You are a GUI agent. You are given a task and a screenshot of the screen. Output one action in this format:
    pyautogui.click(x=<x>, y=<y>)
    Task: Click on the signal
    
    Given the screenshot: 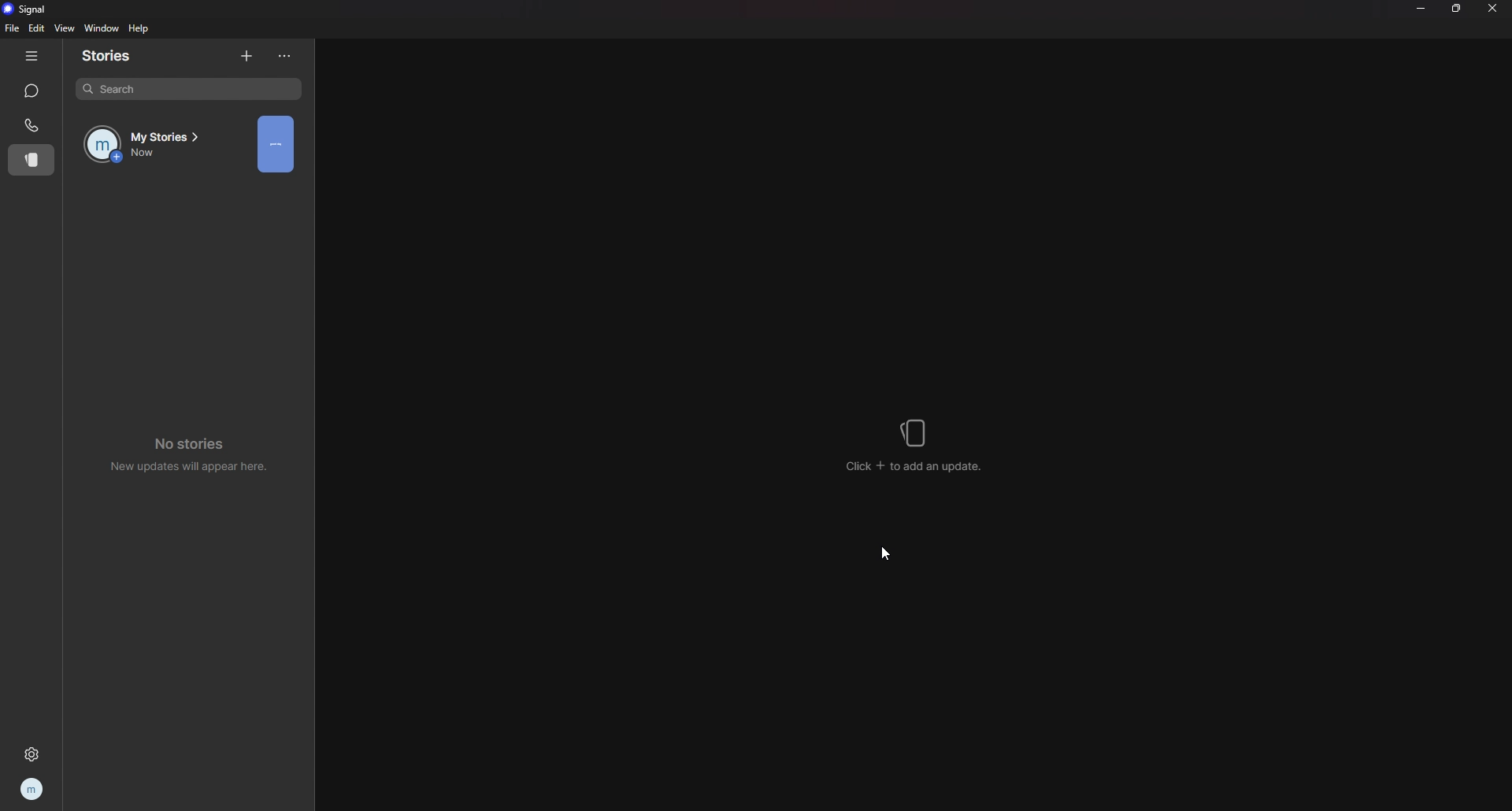 What is the action you would take?
    pyautogui.click(x=29, y=9)
    